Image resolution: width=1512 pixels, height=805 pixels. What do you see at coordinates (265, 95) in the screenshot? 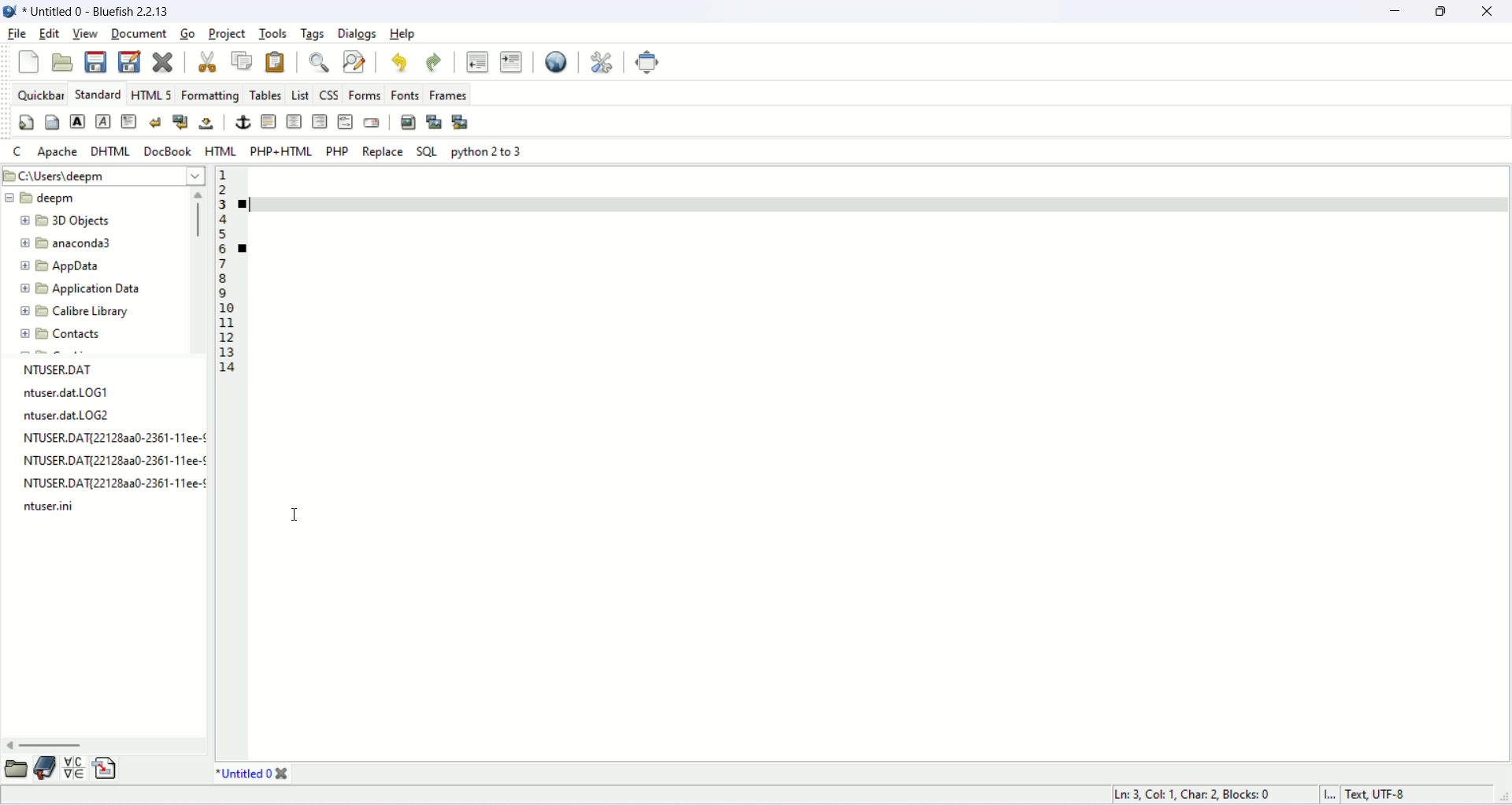
I see `tables` at bounding box center [265, 95].